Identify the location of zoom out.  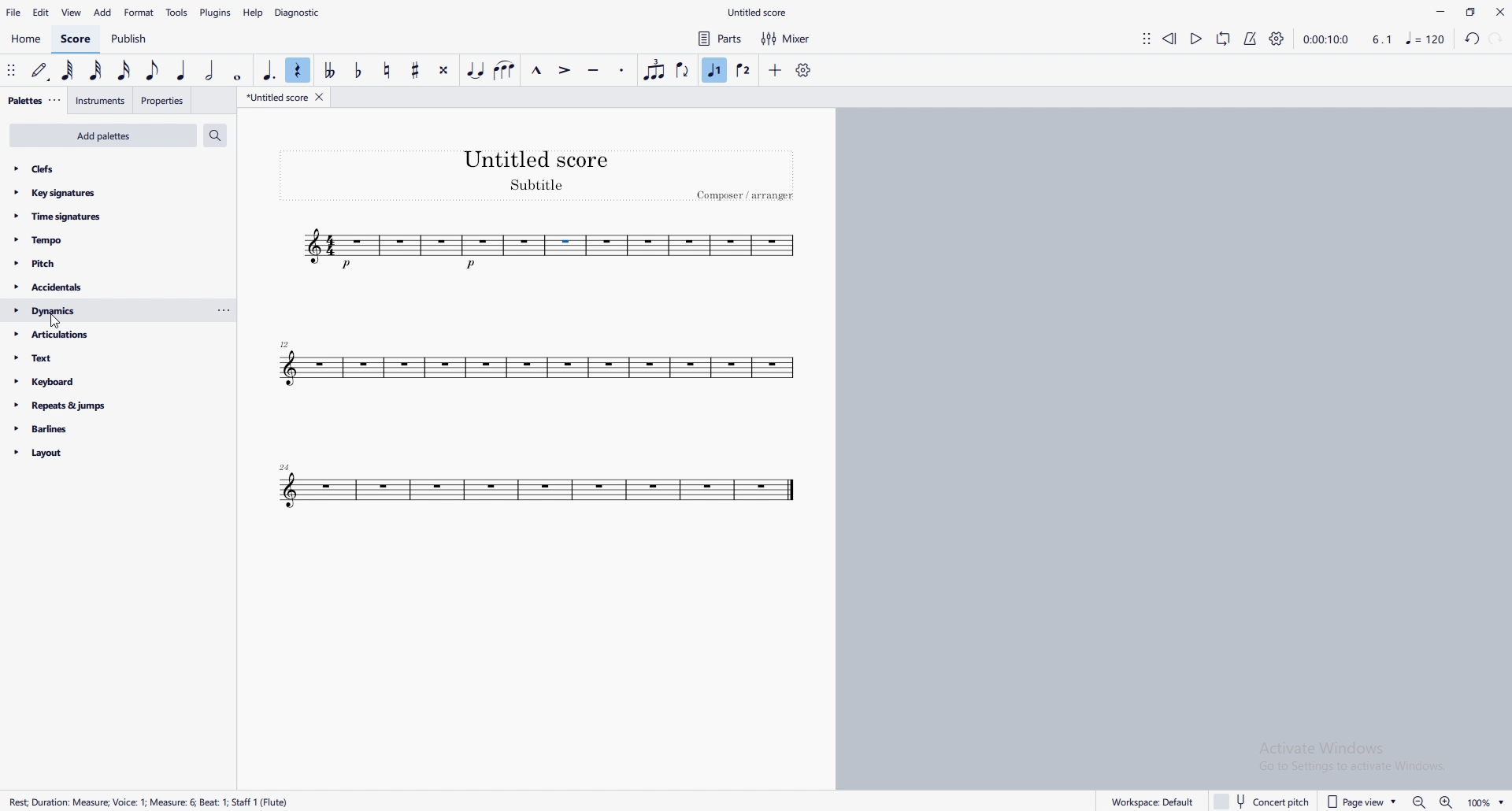
(1443, 802).